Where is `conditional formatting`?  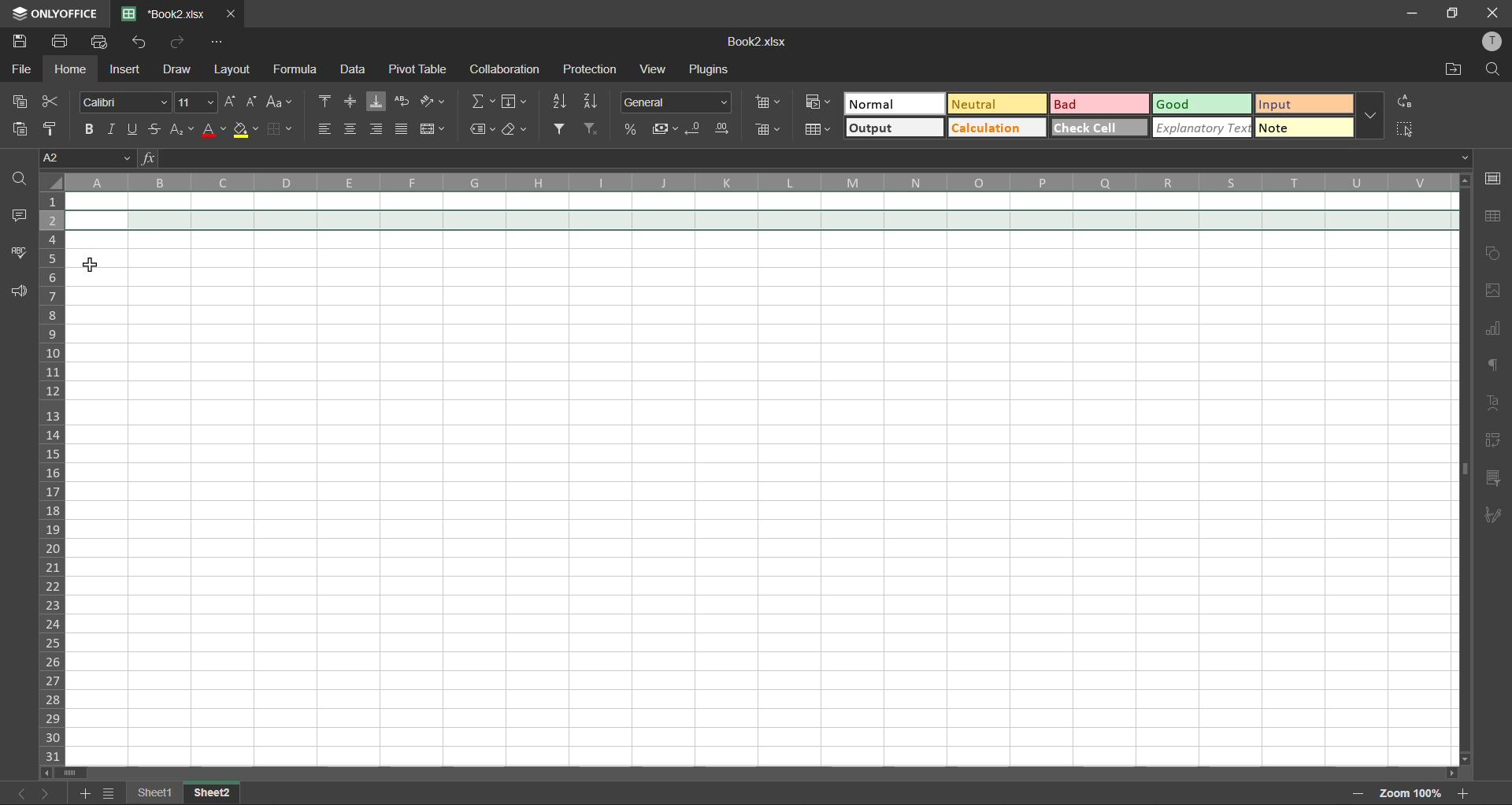 conditional formatting is located at coordinates (819, 101).